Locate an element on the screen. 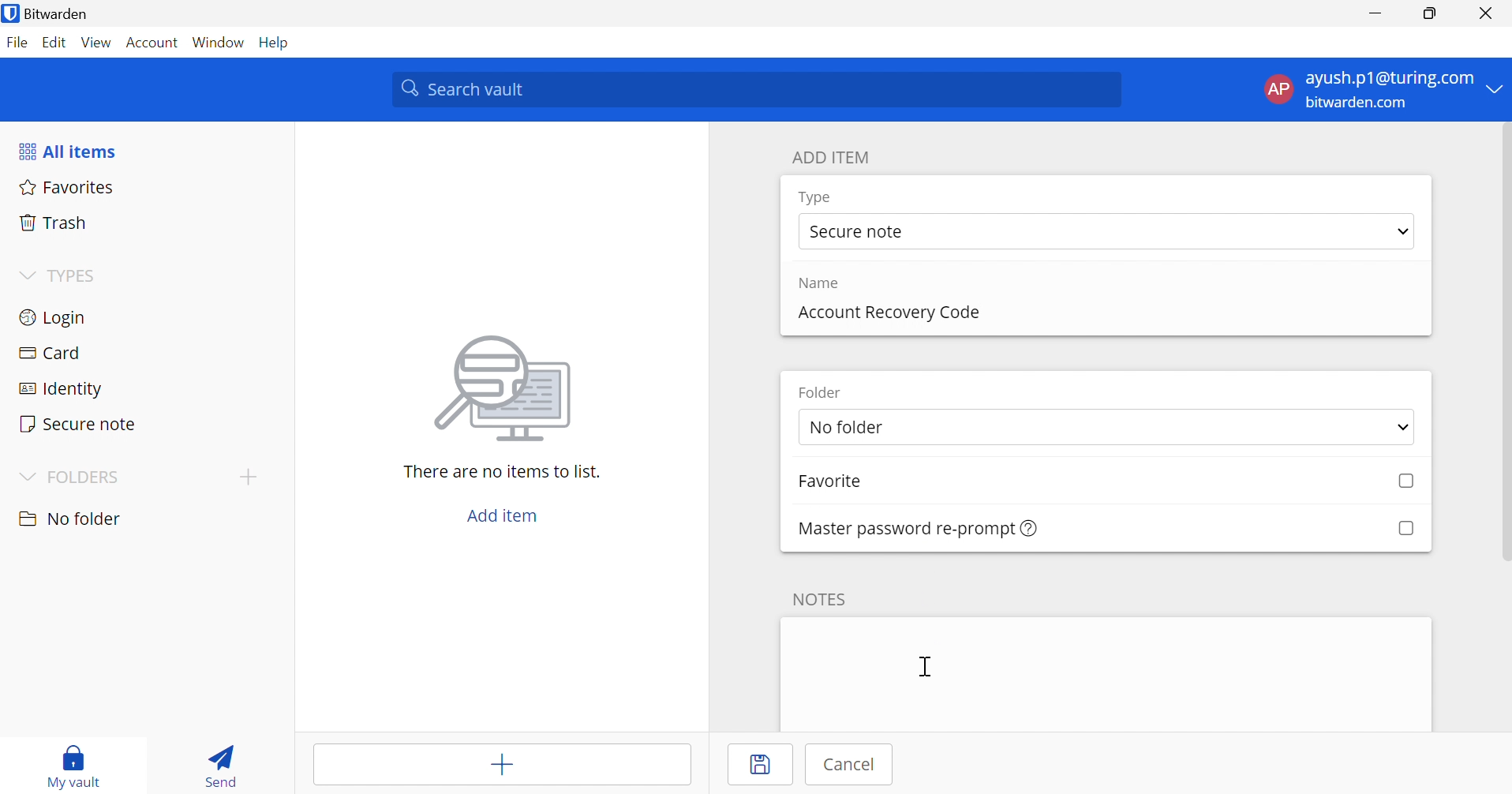 The width and height of the screenshot is (1512, 794). FOLDERS is located at coordinates (89, 477).